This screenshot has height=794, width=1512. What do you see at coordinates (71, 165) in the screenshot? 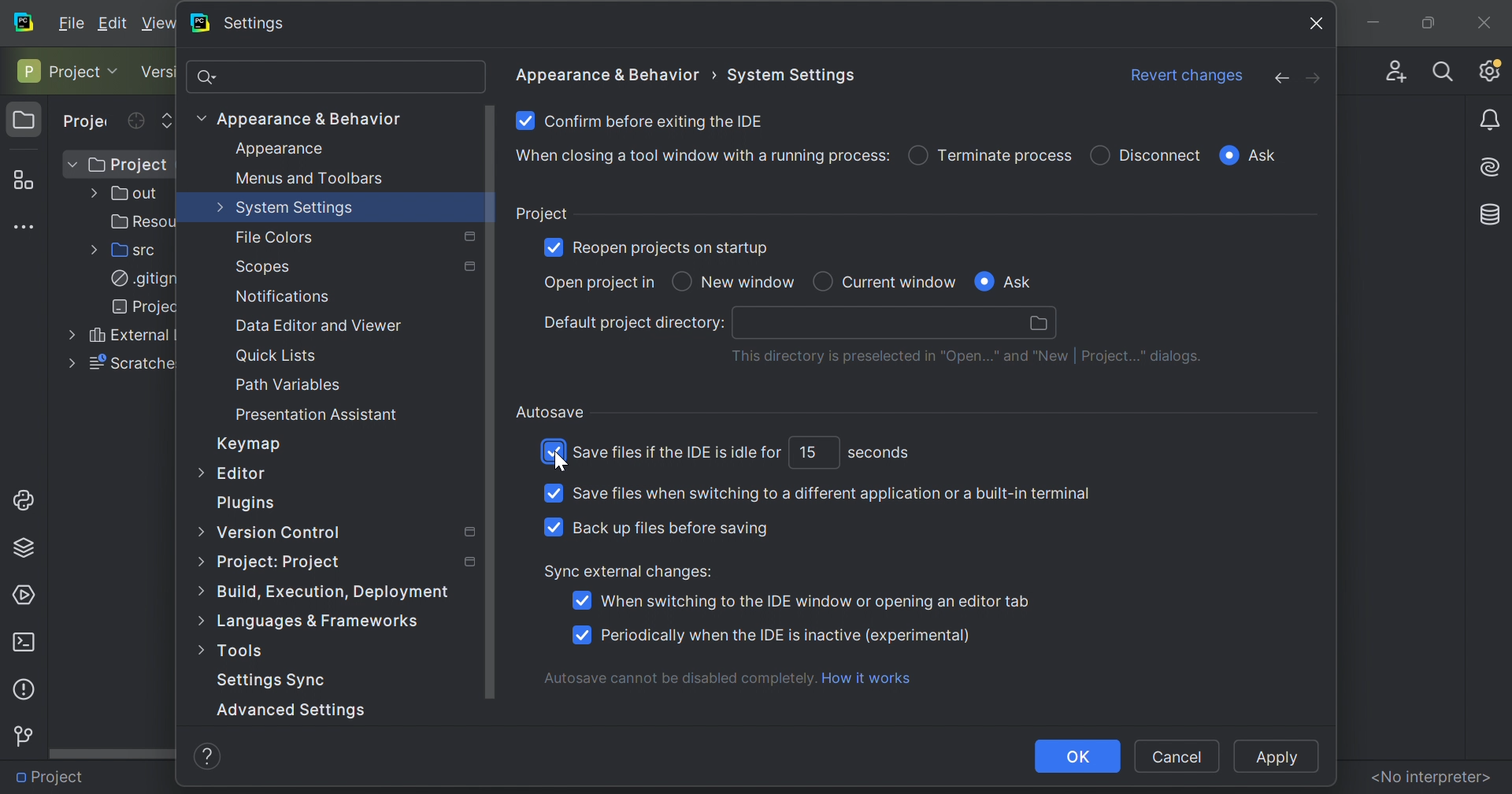
I see `Drop Down` at bounding box center [71, 165].